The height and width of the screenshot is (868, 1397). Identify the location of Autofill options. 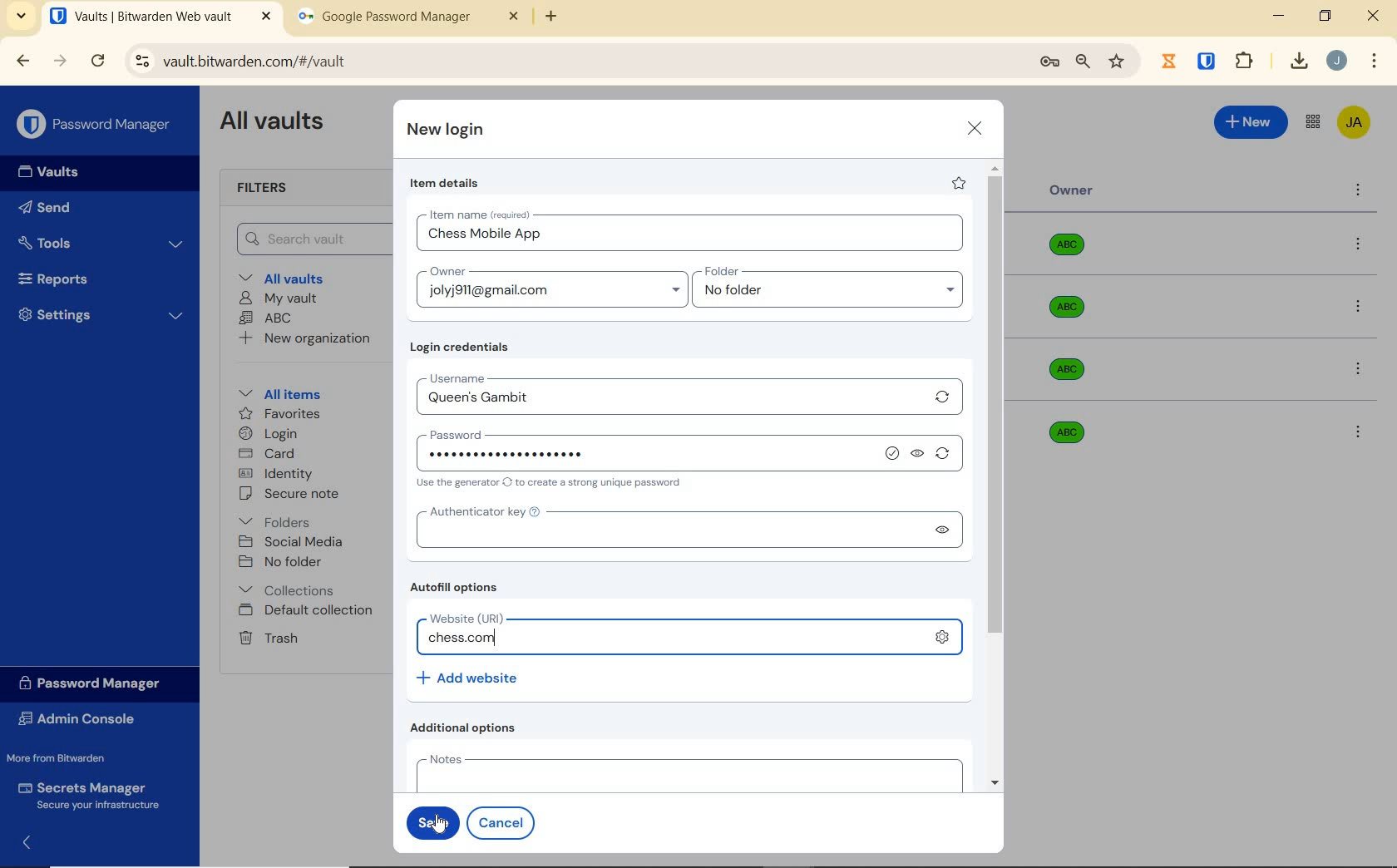
(458, 589).